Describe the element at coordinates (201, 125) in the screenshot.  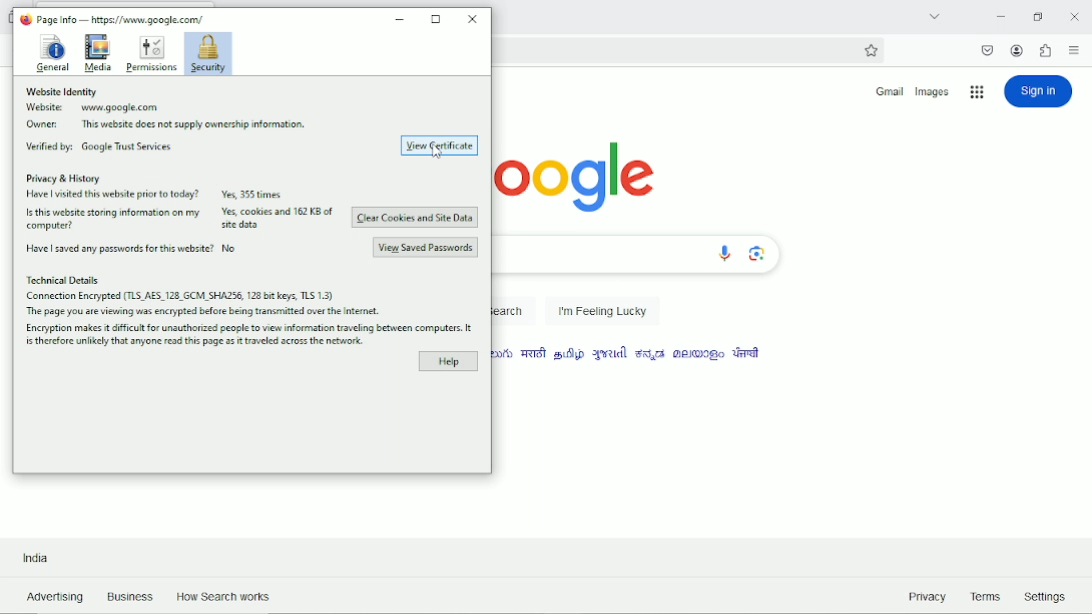
I see `This website does not supply ownership information` at that location.